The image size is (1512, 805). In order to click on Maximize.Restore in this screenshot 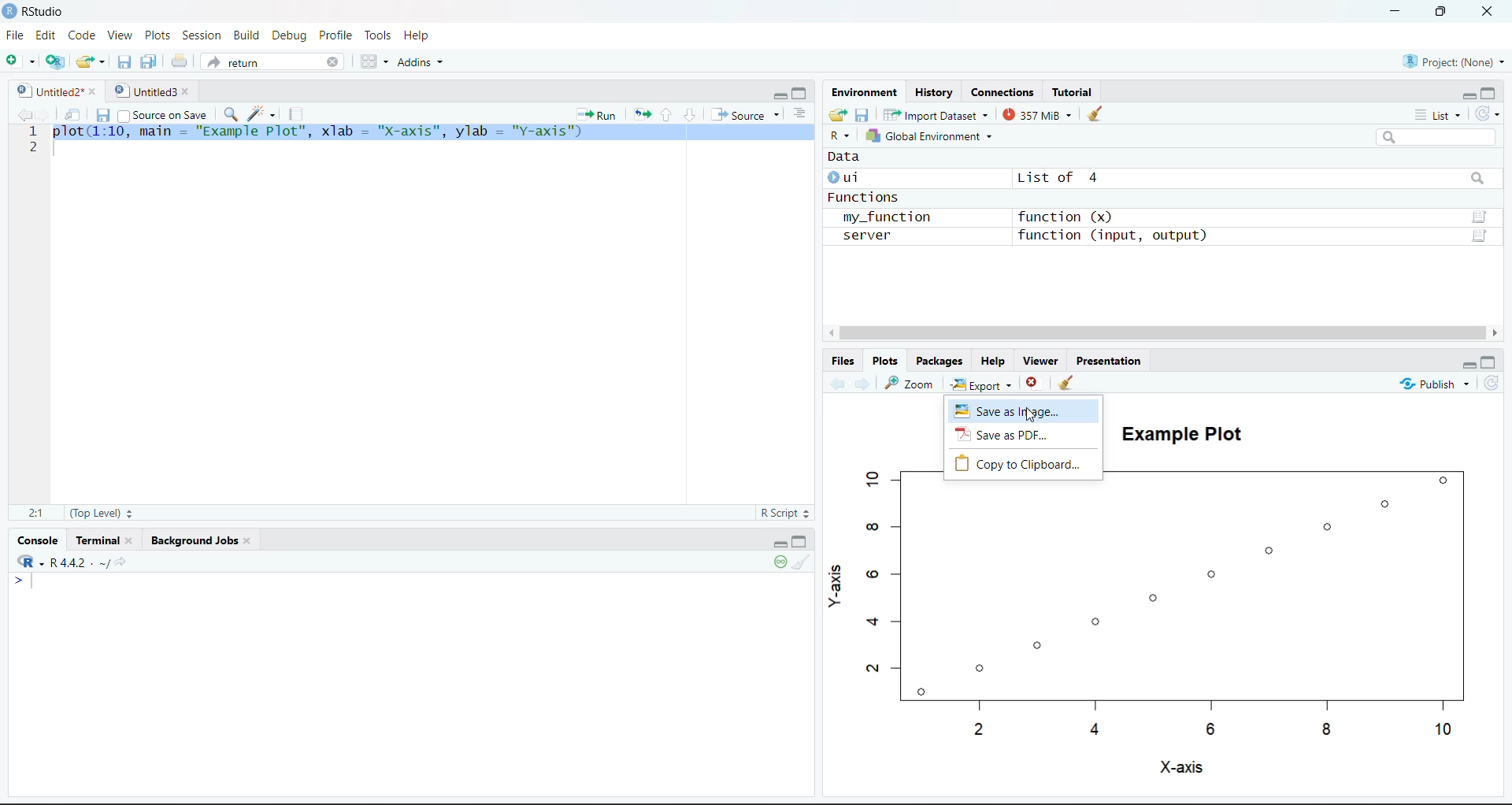, I will do `click(801, 91)`.